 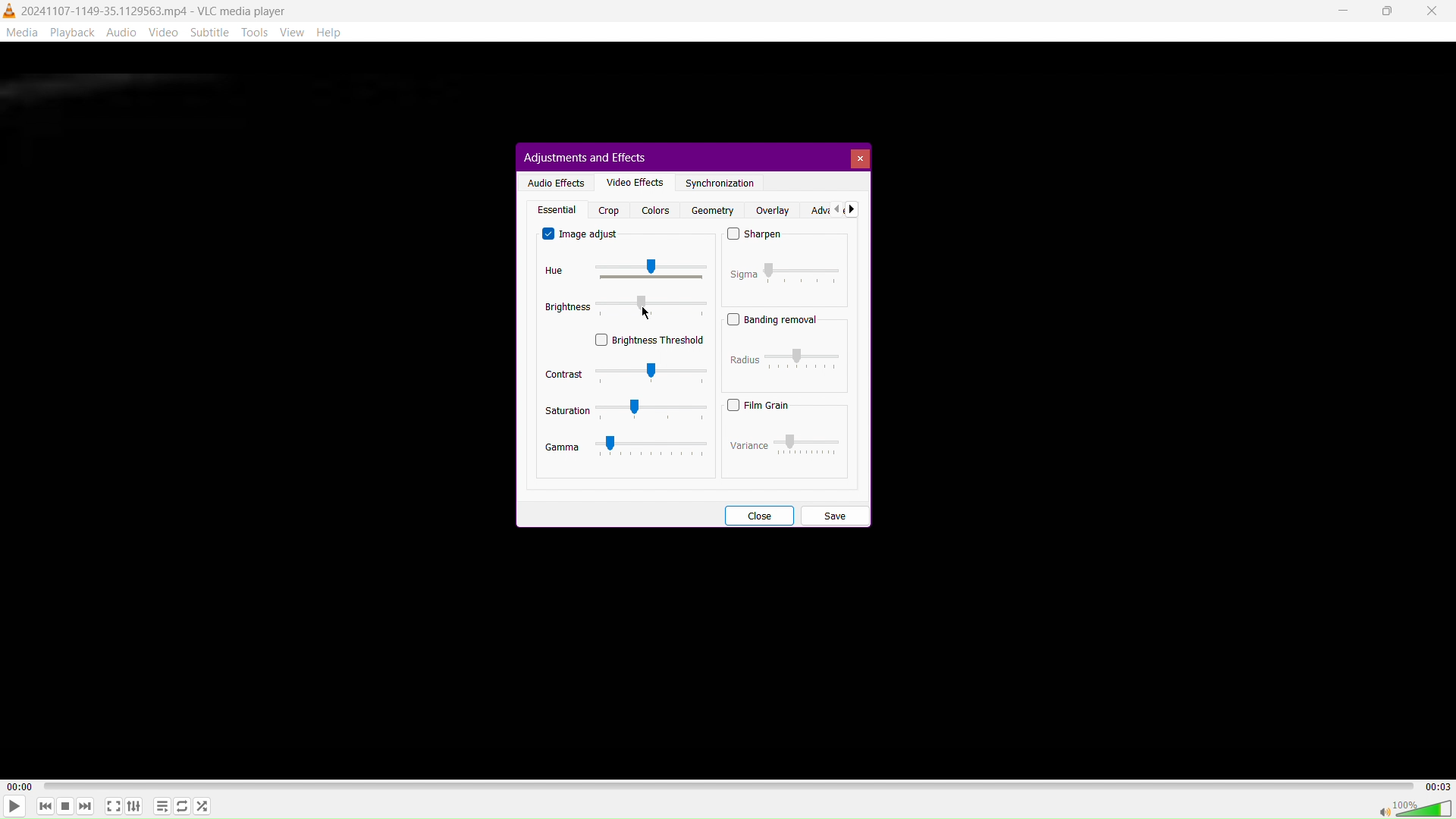 I want to click on Close, so click(x=1434, y=11).